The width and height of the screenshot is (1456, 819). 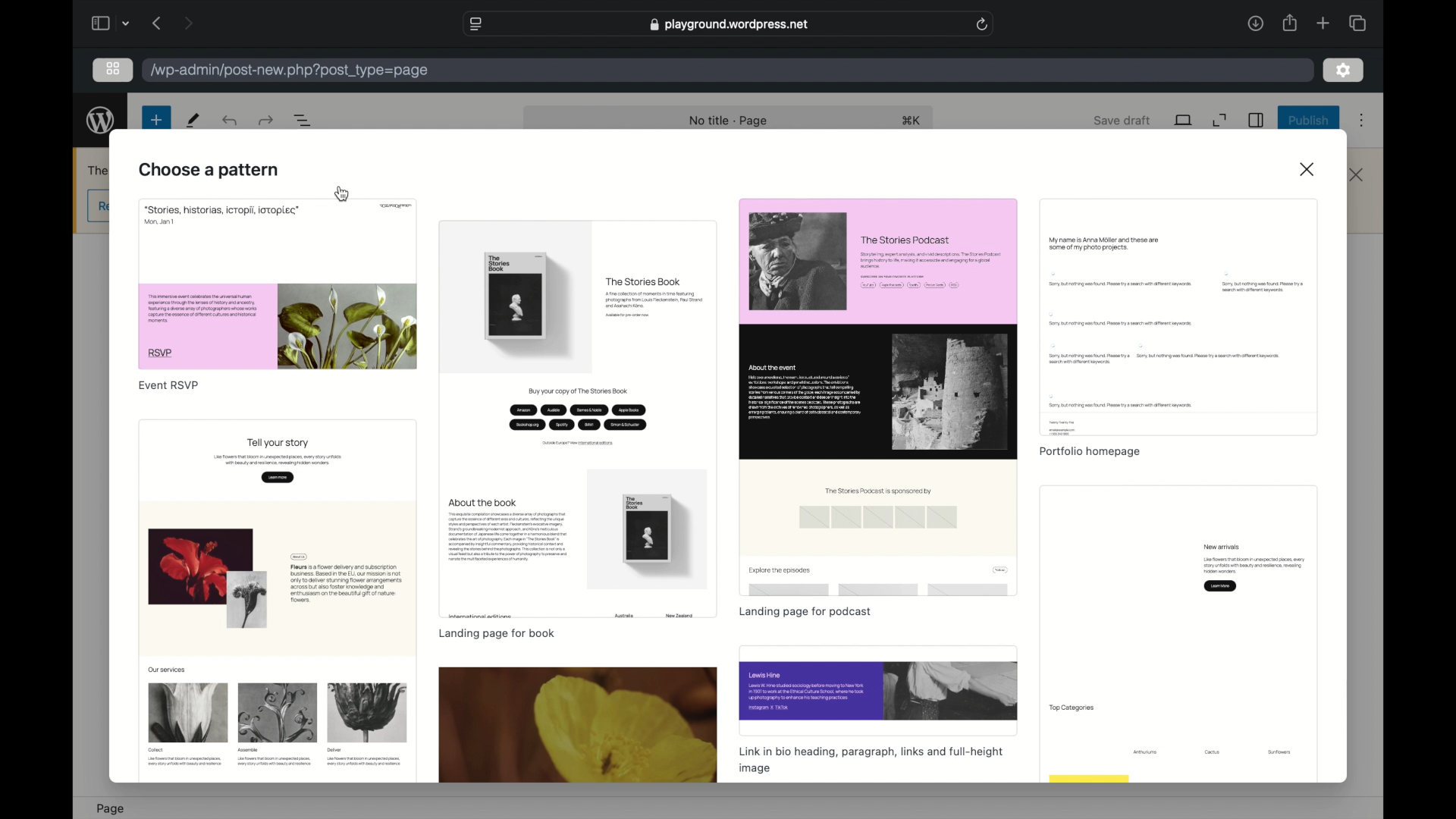 What do you see at coordinates (278, 285) in the screenshot?
I see `preview` at bounding box center [278, 285].